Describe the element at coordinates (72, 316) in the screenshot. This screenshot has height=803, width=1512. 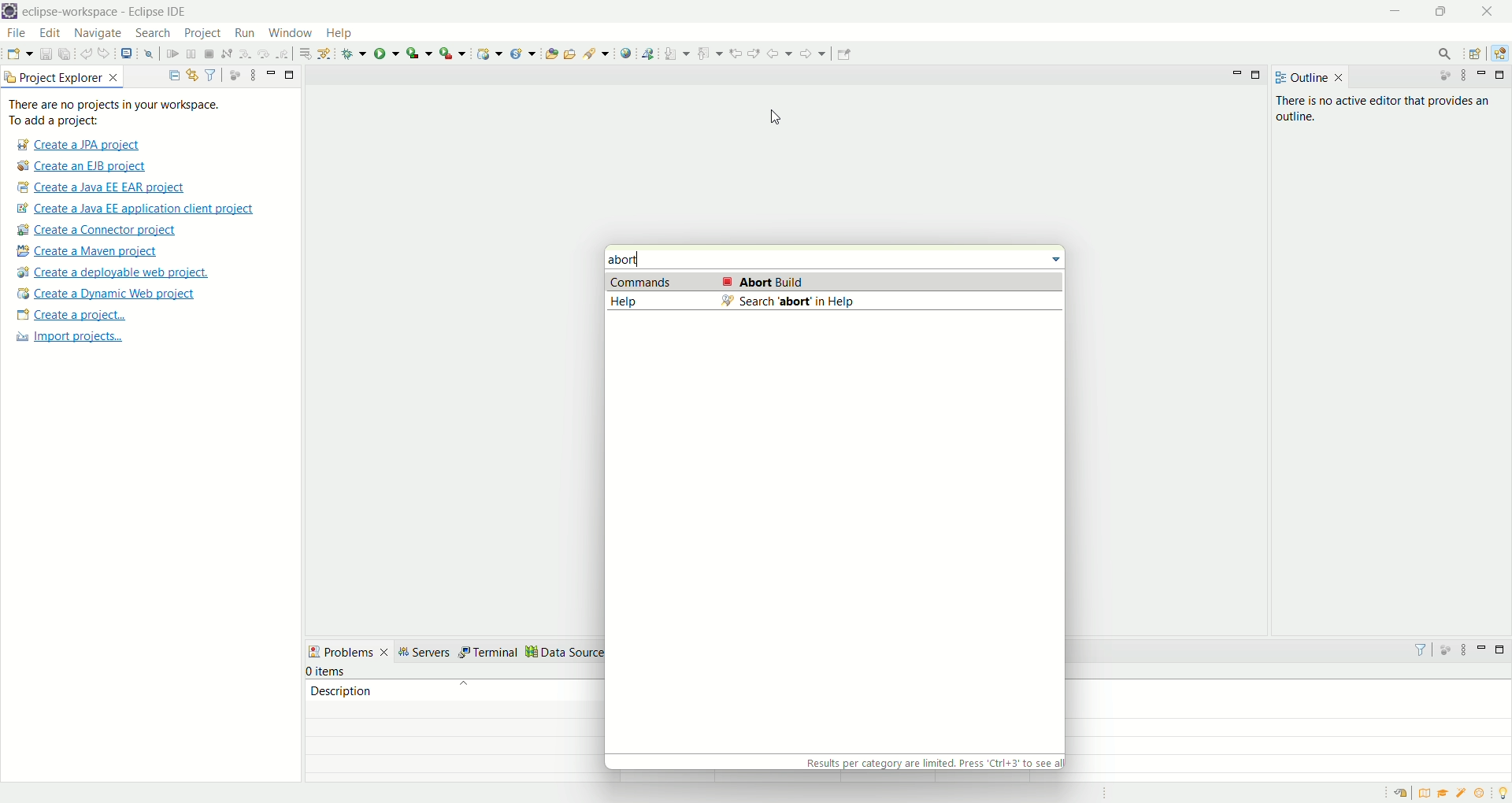
I see `create a project` at that location.